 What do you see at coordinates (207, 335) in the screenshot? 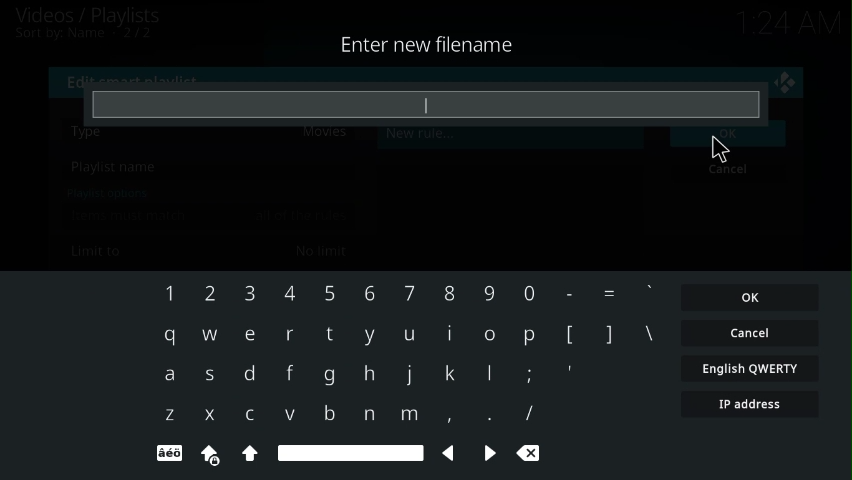
I see `w` at bounding box center [207, 335].